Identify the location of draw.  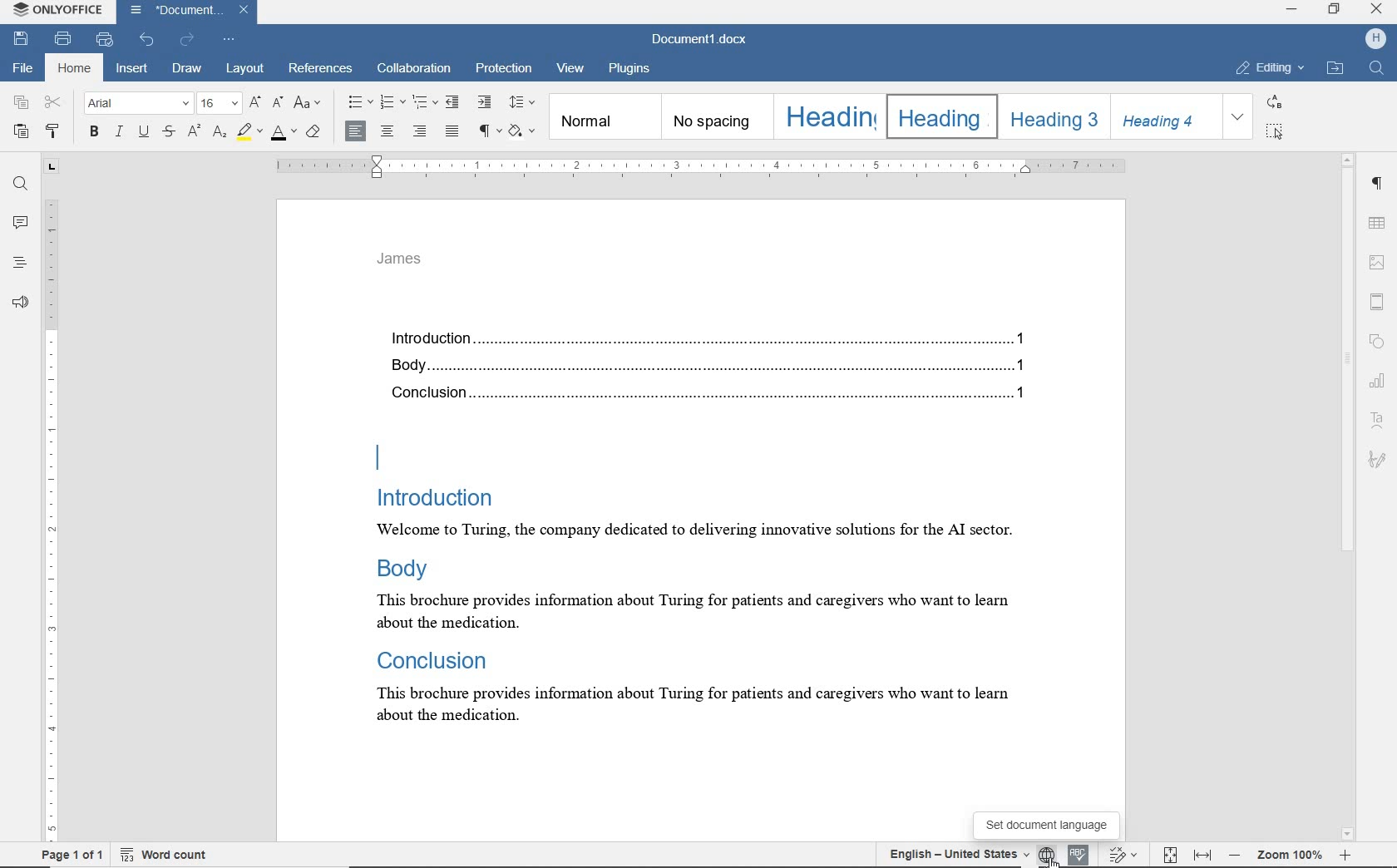
(190, 70).